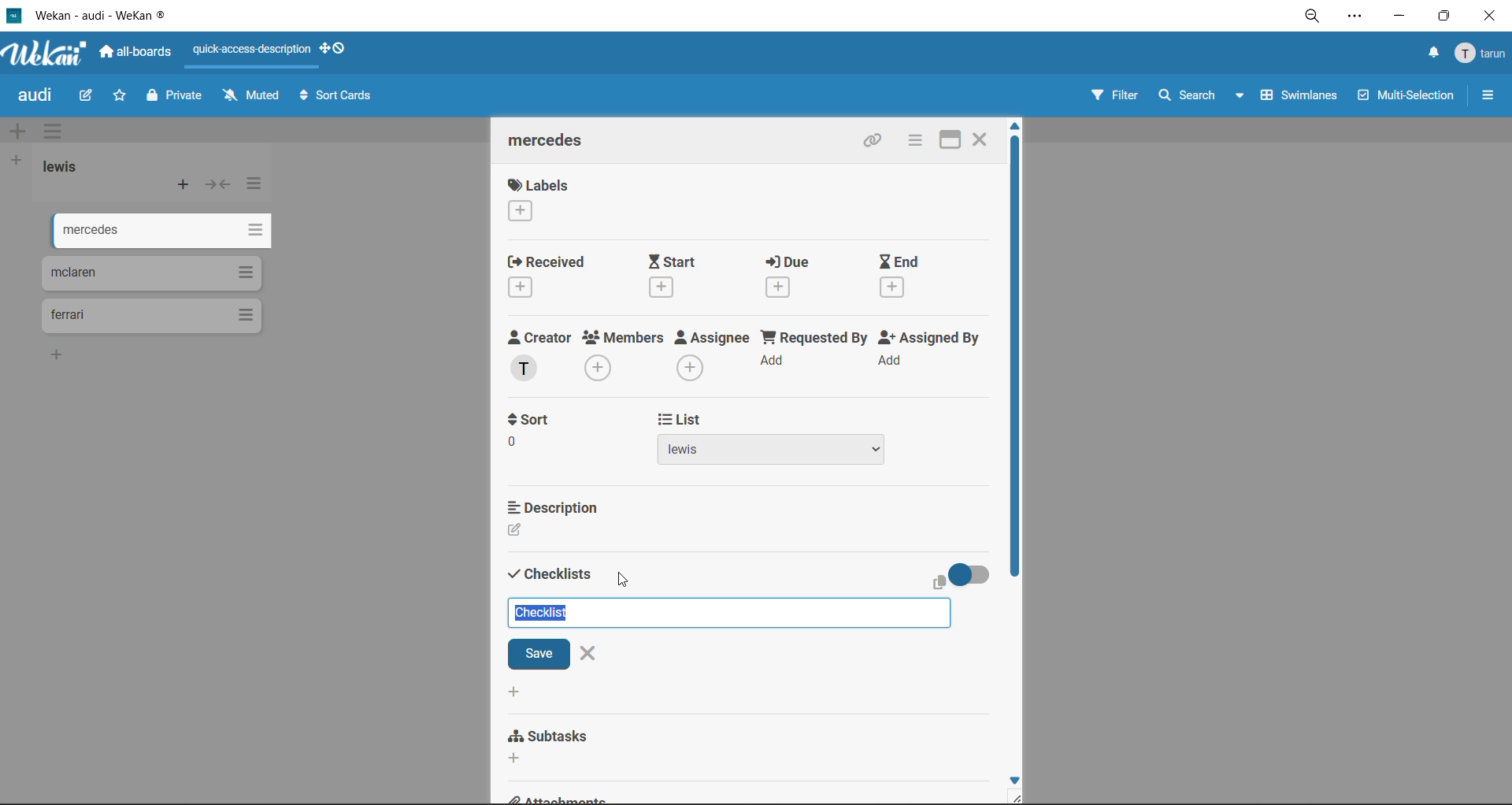 The width and height of the screenshot is (1512, 805). Describe the element at coordinates (67, 167) in the screenshot. I see `list title` at that location.